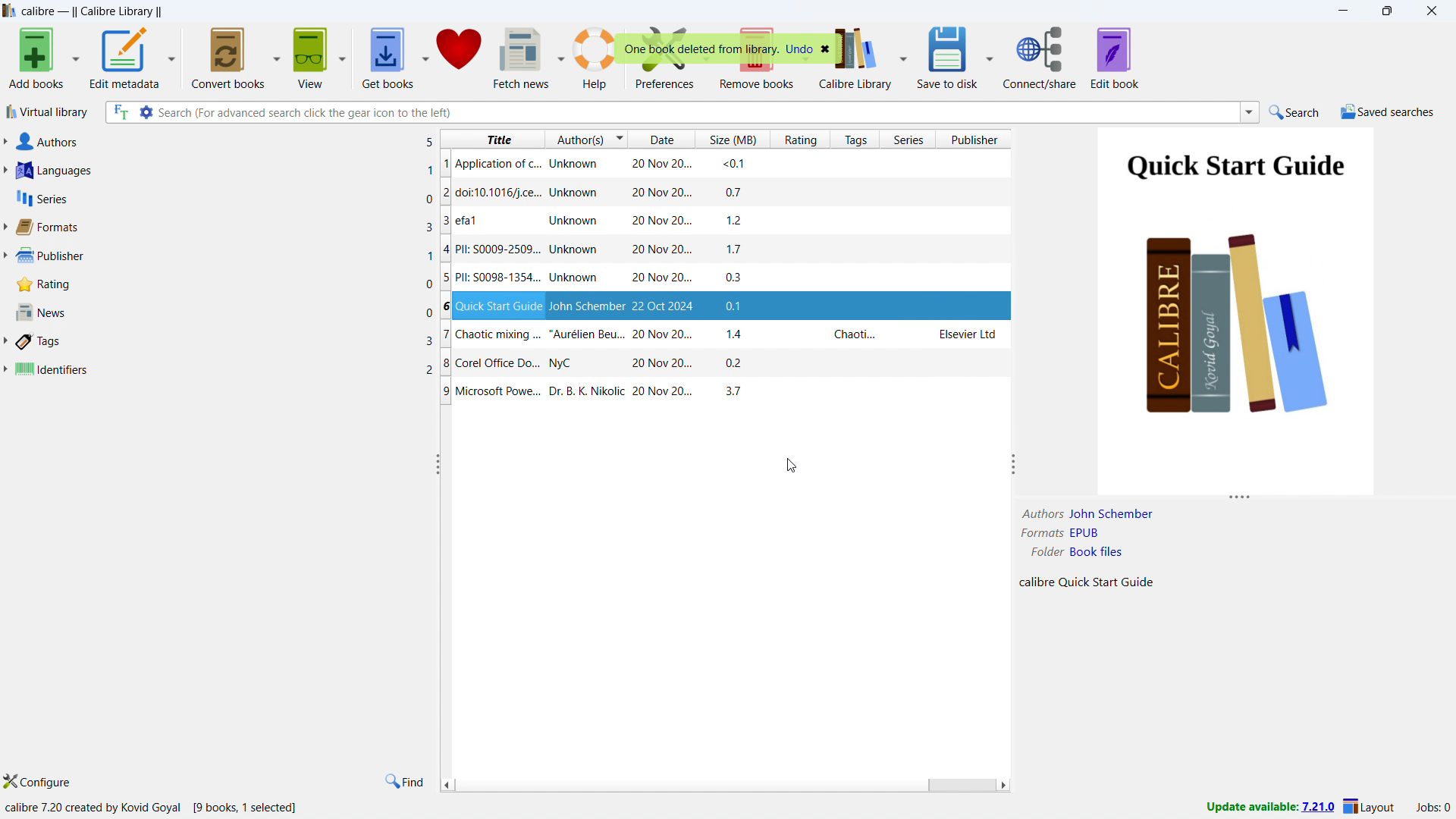 This screenshot has width=1456, height=819. Describe the element at coordinates (48, 111) in the screenshot. I see `virtual library` at that location.